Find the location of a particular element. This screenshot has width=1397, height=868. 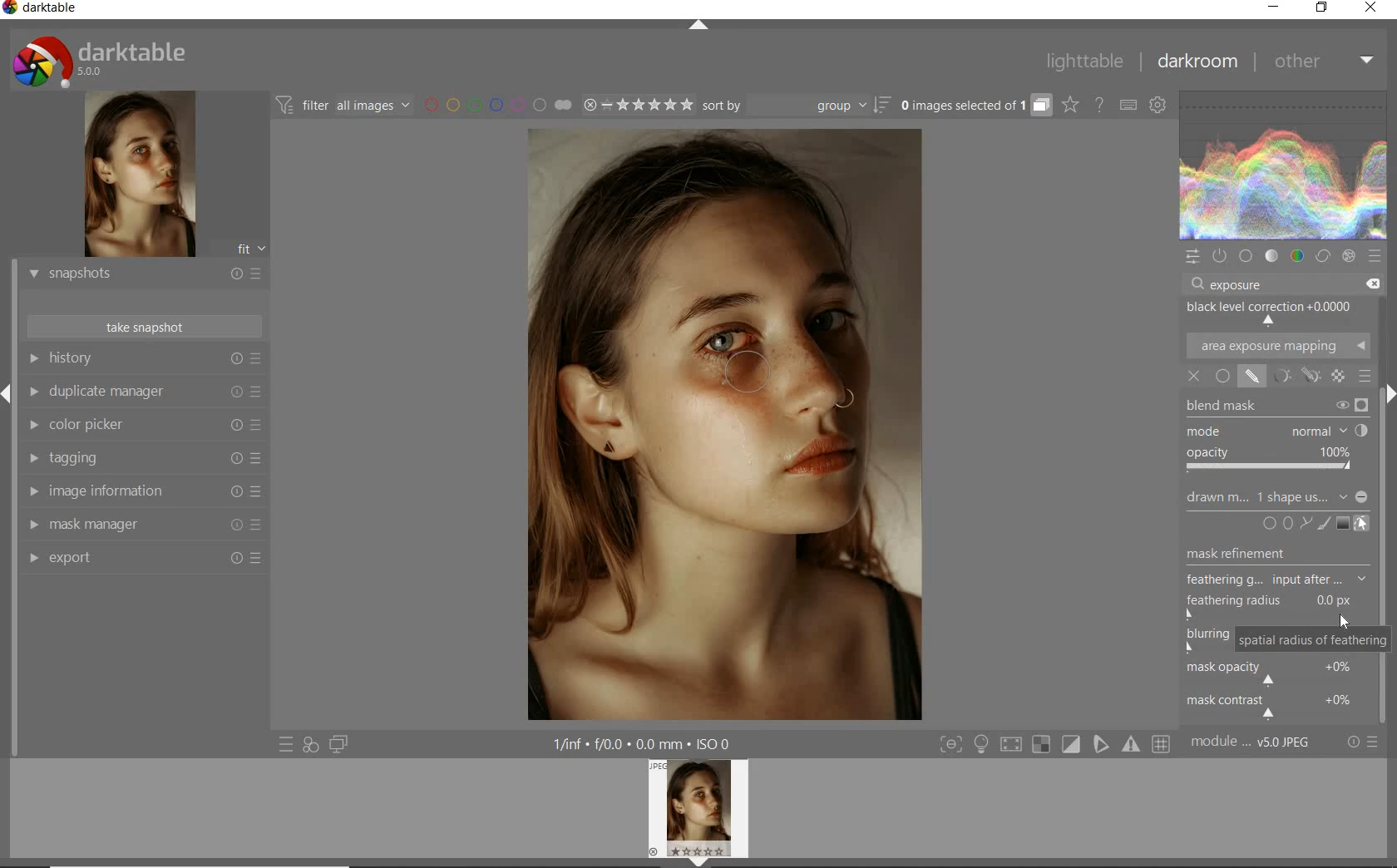

BLACK LEVEL CORRECTION is located at coordinates (1276, 314).